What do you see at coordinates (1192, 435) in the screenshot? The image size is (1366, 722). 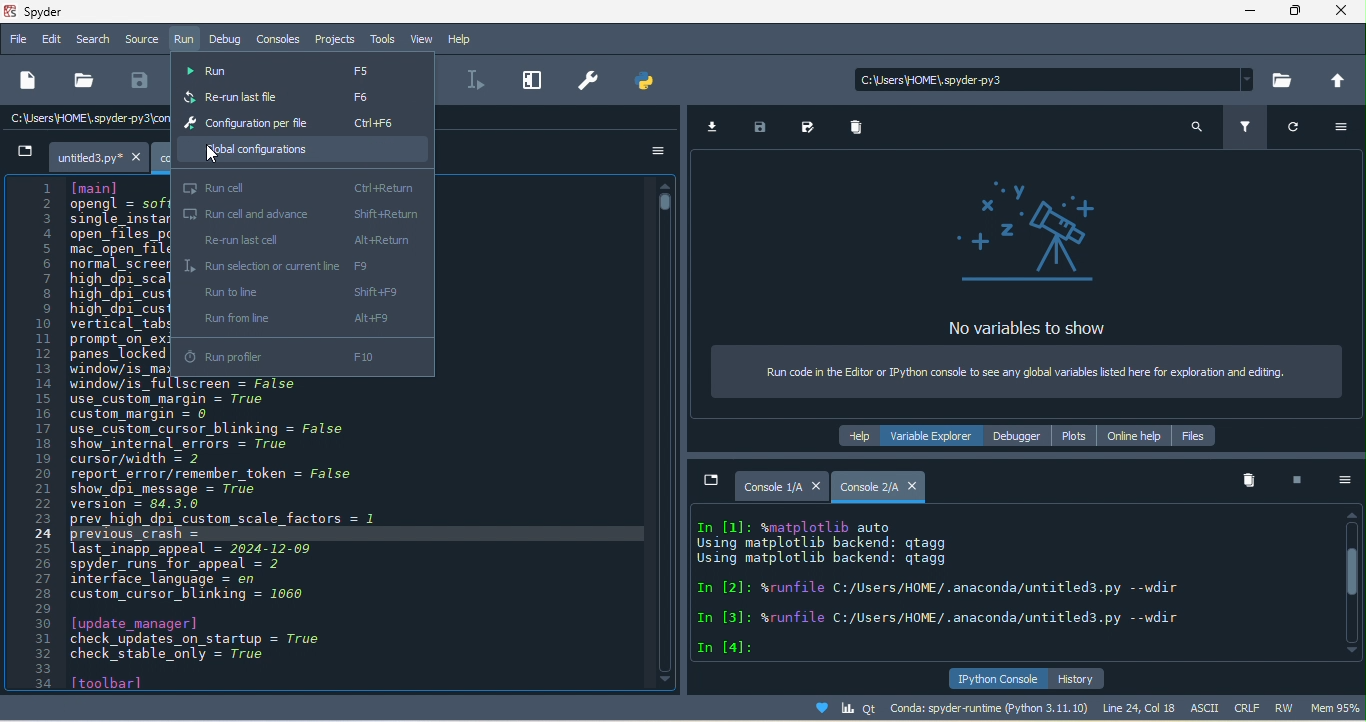 I see `files` at bounding box center [1192, 435].